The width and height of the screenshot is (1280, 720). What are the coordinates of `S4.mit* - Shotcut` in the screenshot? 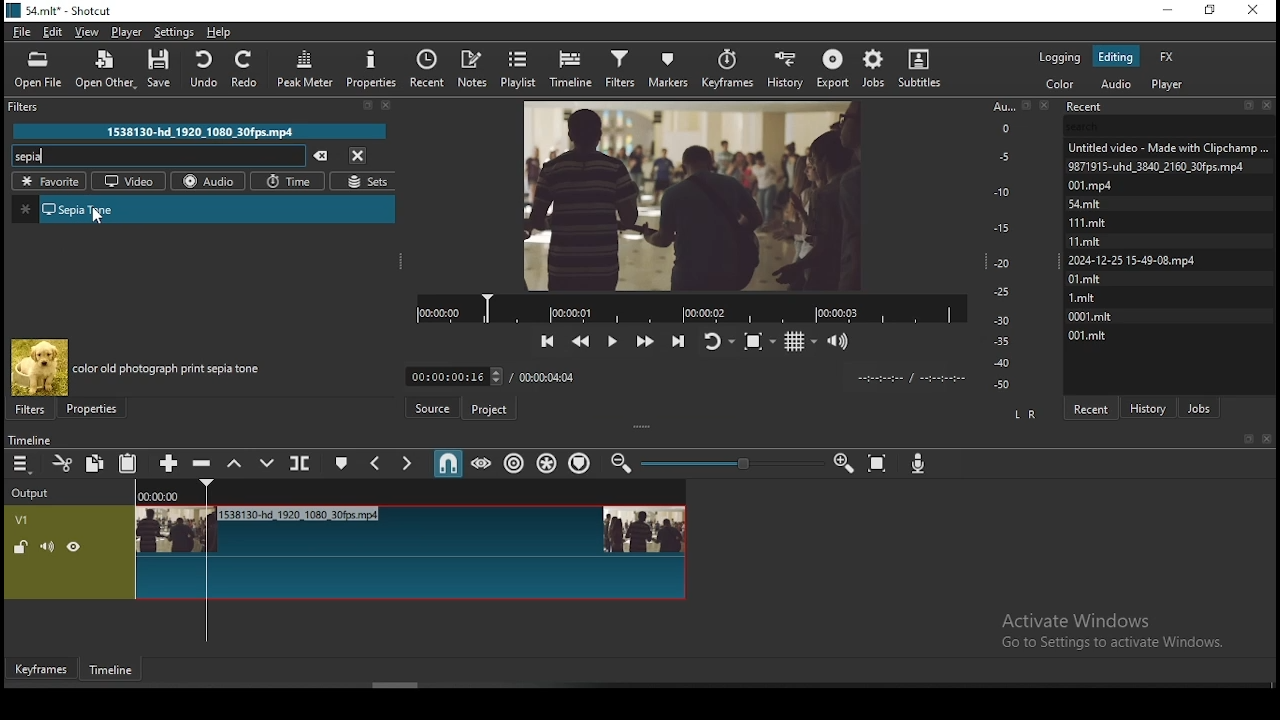 It's located at (59, 10).